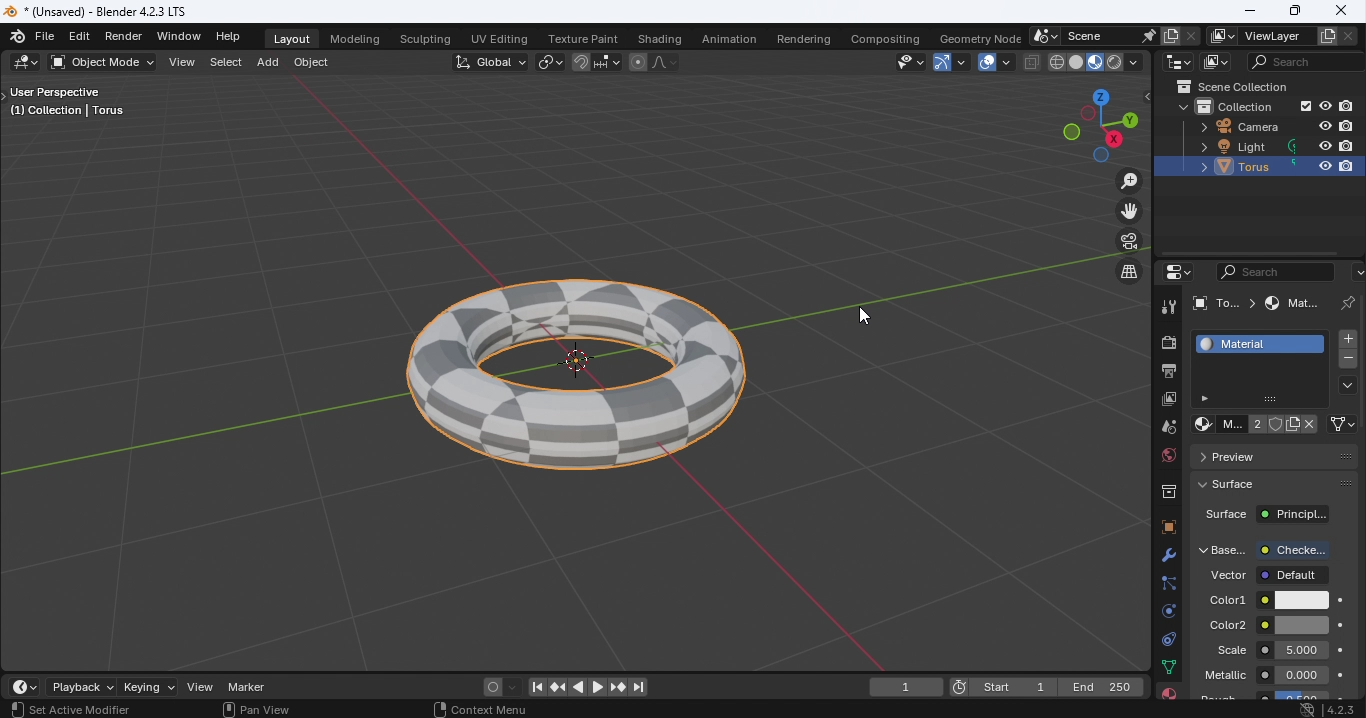  I want to click on Torus, so click(1216, 167).